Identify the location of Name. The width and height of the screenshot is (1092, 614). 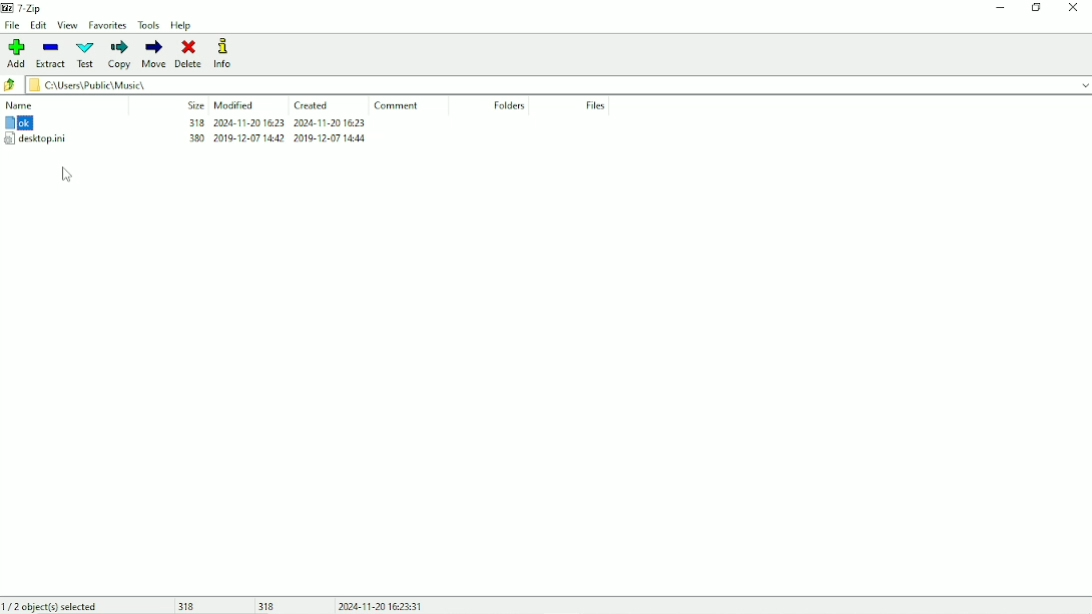
(21, 104).